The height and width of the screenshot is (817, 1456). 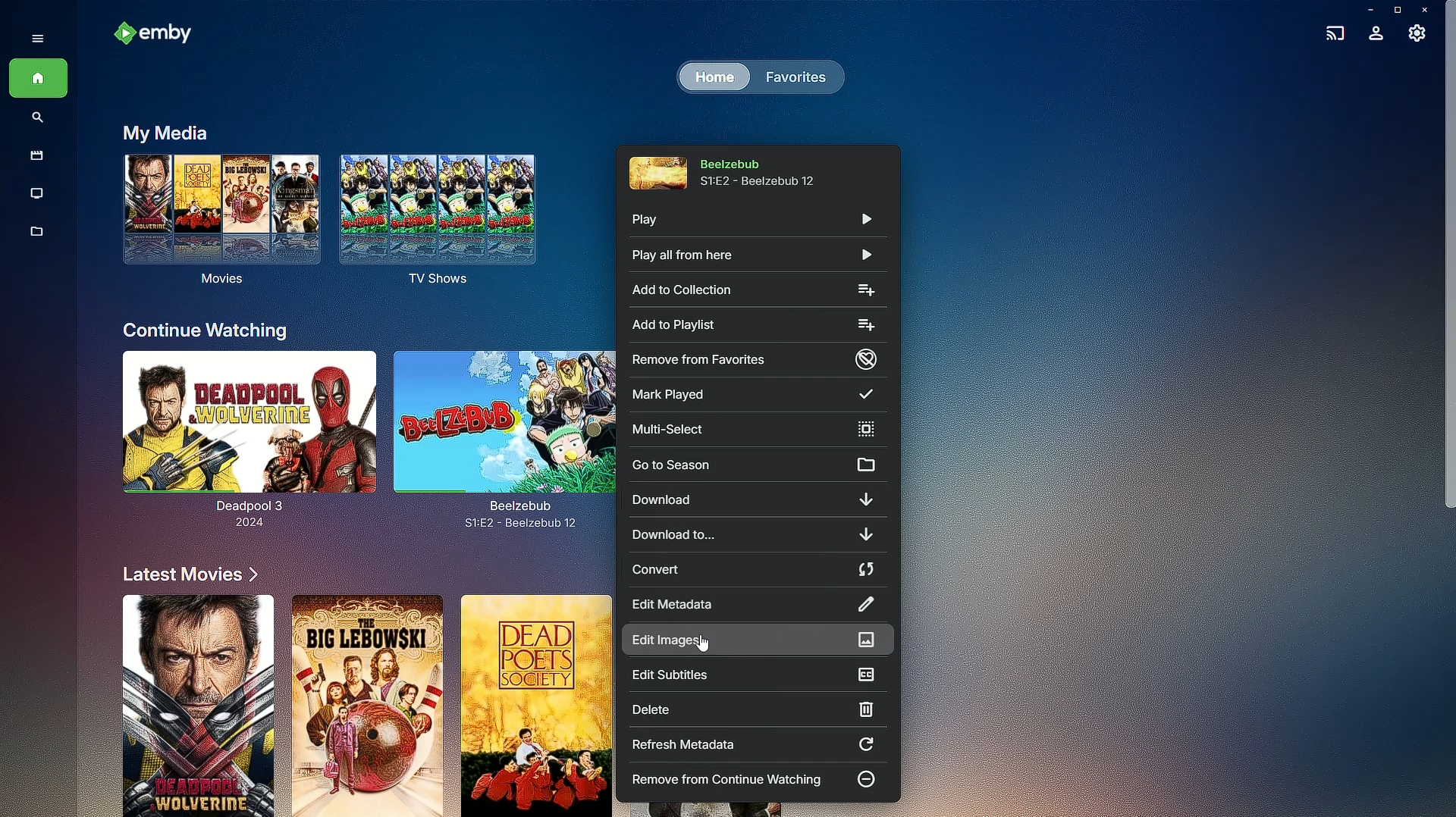 What do you see at coordinates (756, 605) in the screenshot?
I see `Edit metadata` at bounding box center [756, 605].